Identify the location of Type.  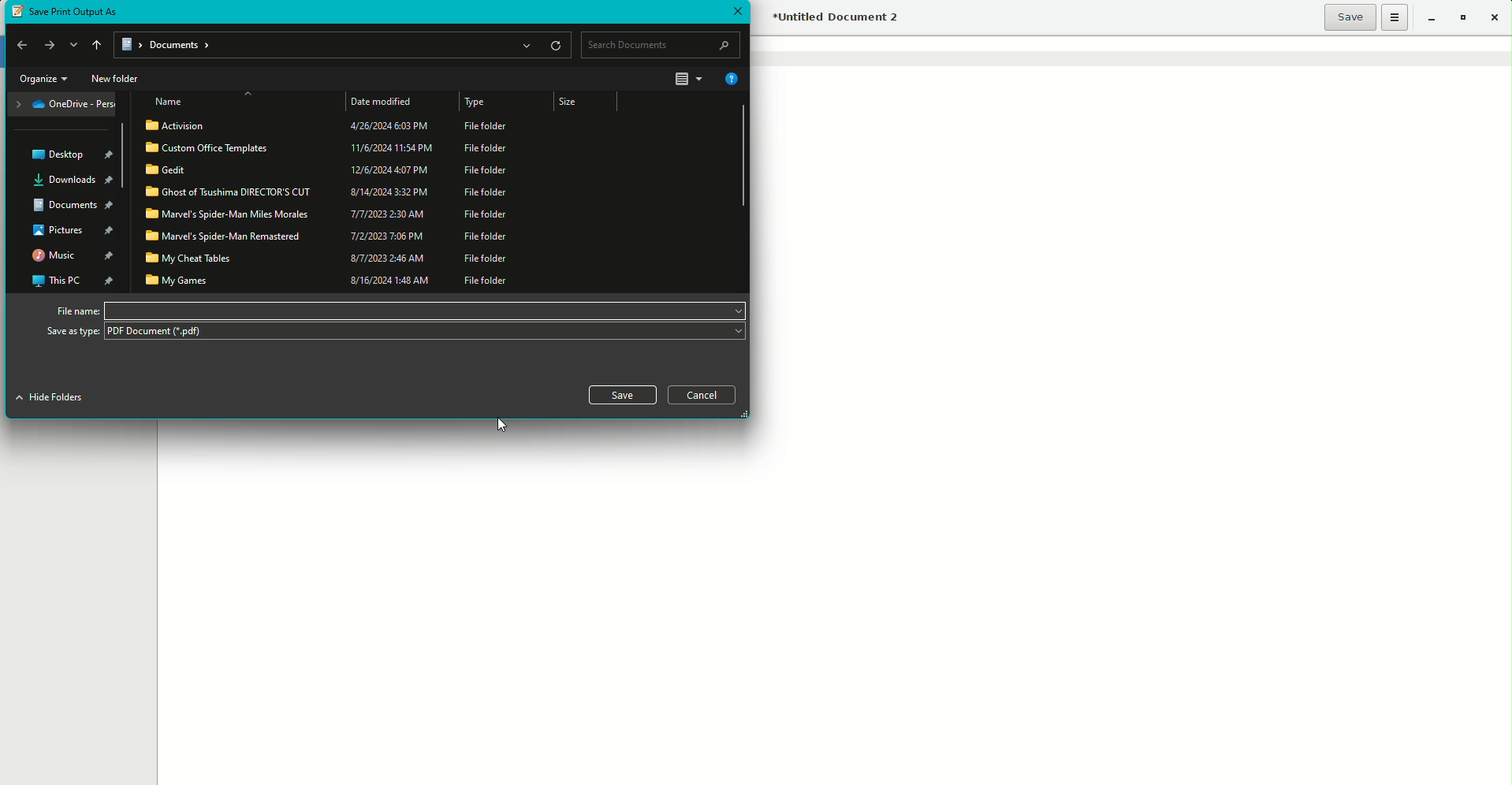
(477, 104).